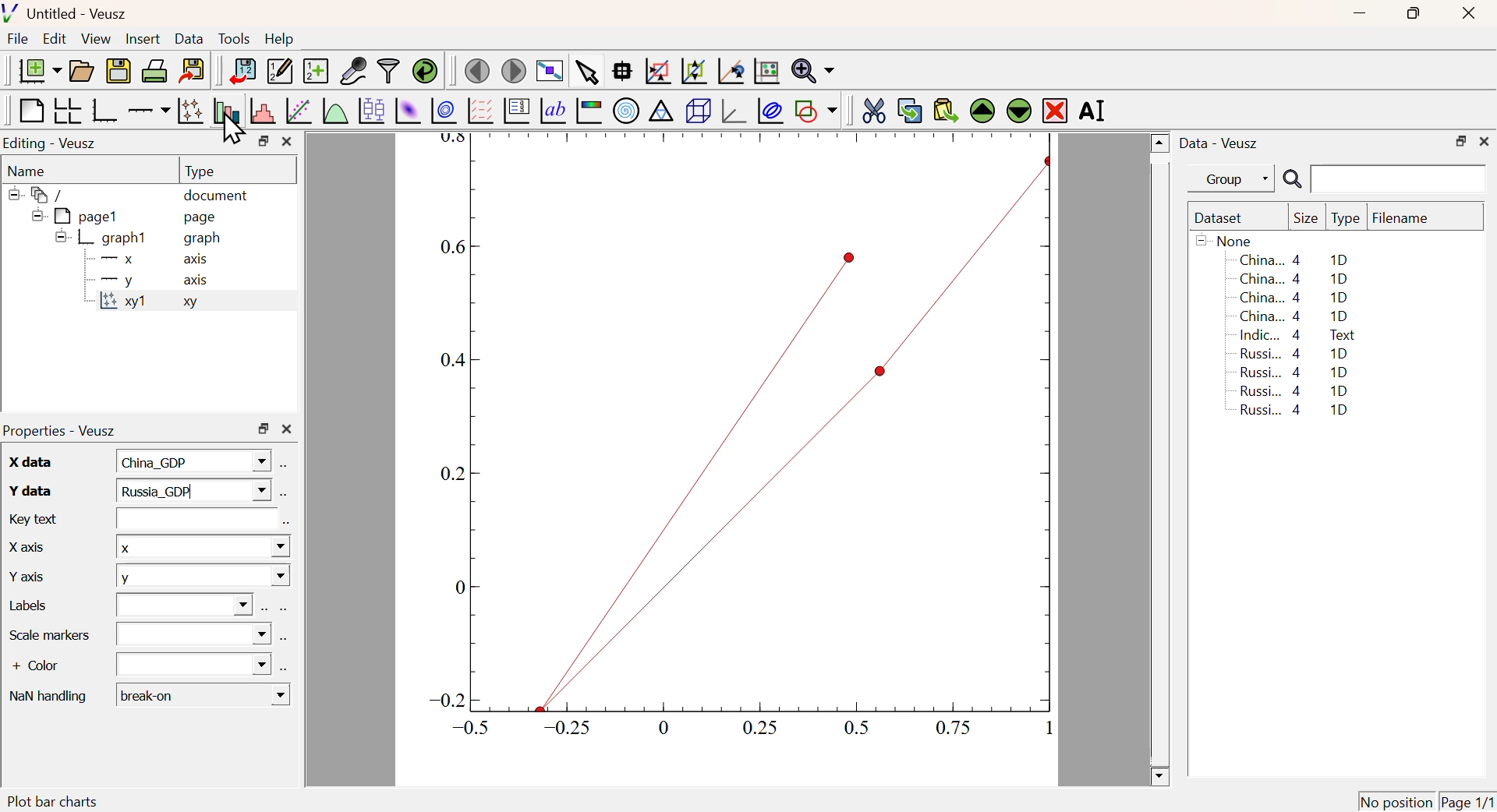 The height and width of the screenshot is (812, 1497). What do you see at coordinates (119, 72) in the screenshot?
I see `Save` at bounding box center [119, 72].